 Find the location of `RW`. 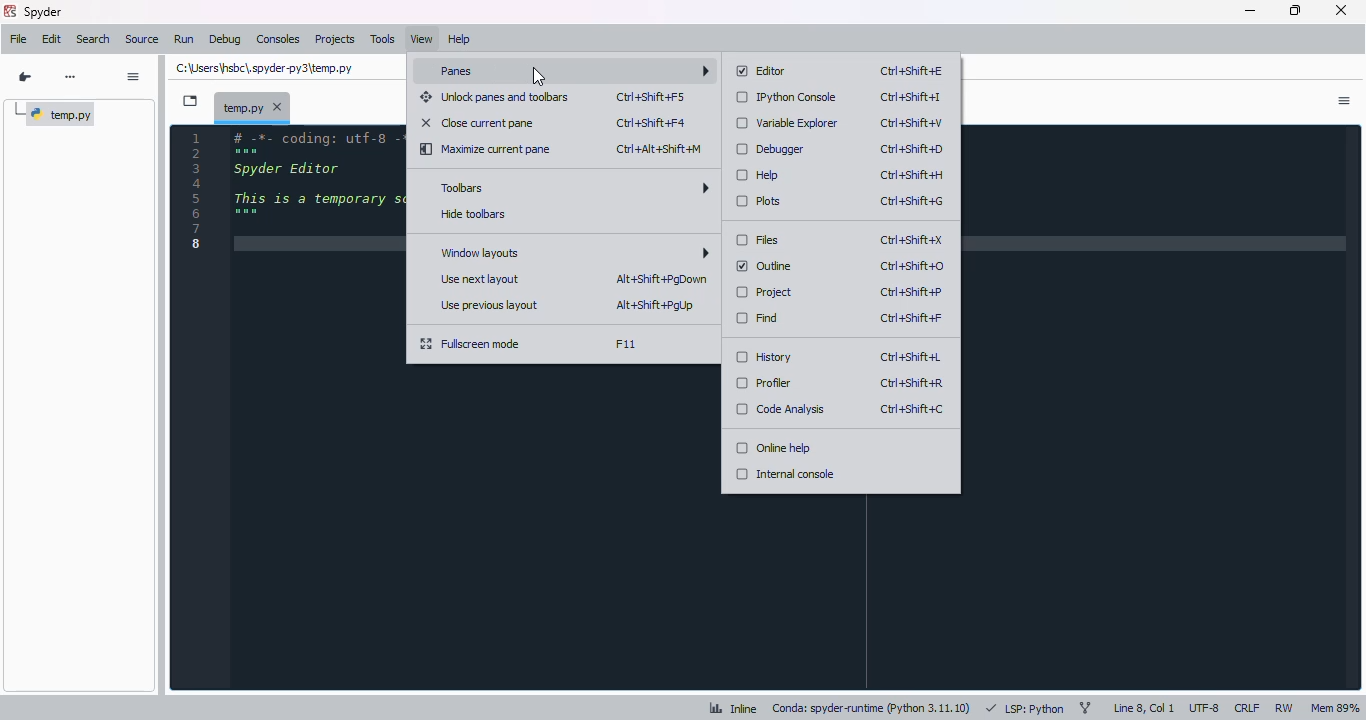

RW is located at coordinates (1284, 706).